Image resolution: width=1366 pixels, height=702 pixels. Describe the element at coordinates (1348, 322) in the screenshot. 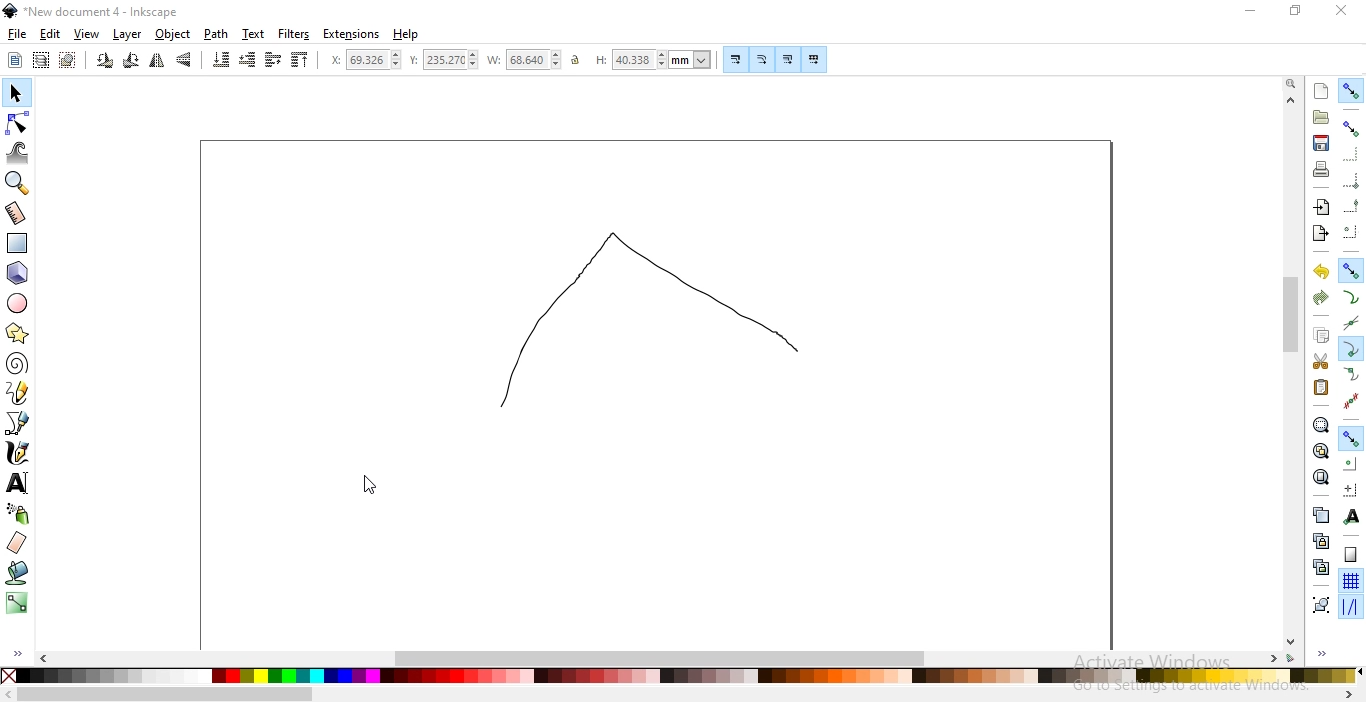

I see `snap to path intersections` at that location.